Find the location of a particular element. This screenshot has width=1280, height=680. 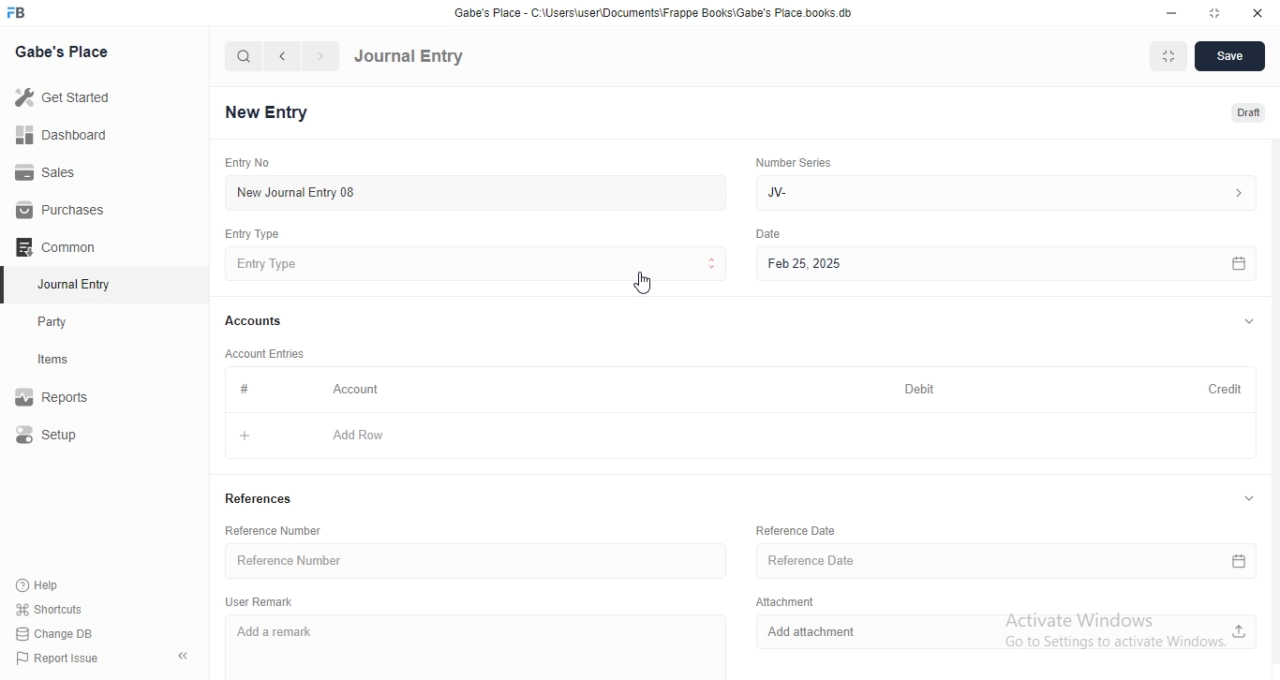

Get Started is located at coordinates (68, 101).